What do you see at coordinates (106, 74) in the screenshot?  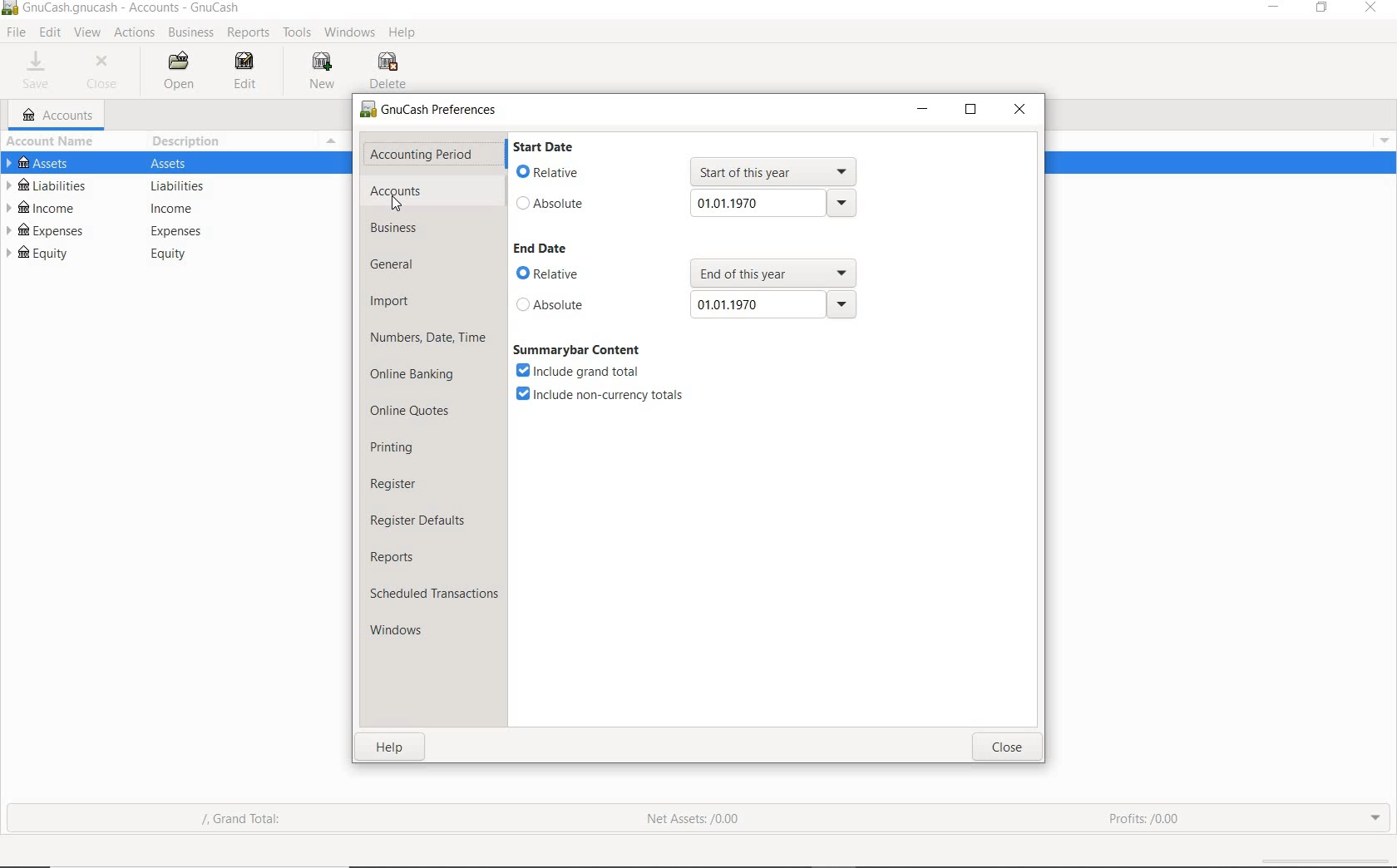 I see `CLOSE` at bounding box center [106, 74].